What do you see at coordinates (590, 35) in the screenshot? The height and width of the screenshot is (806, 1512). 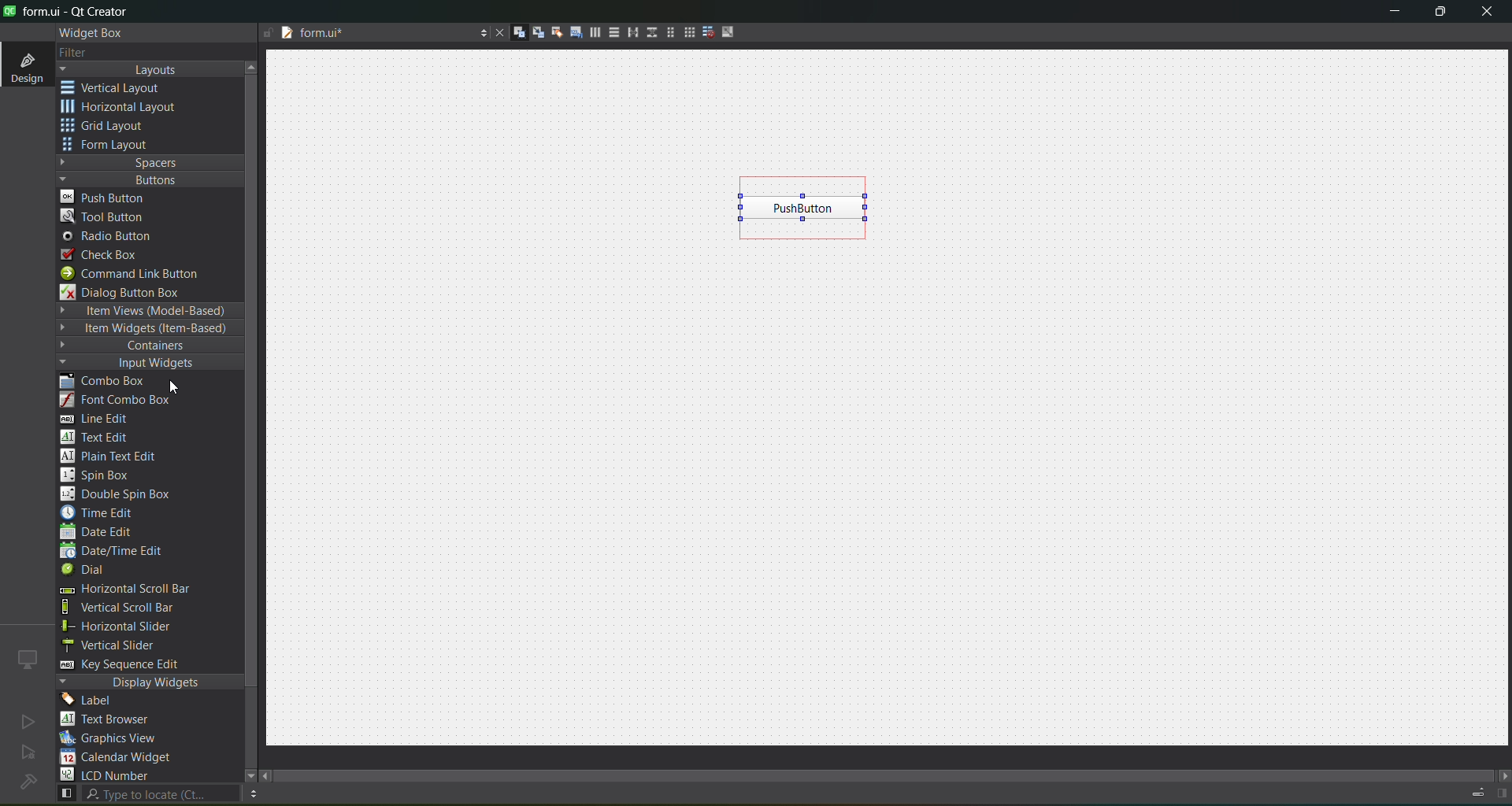 I see `layout horizontally` at bounding box center [590, 35].